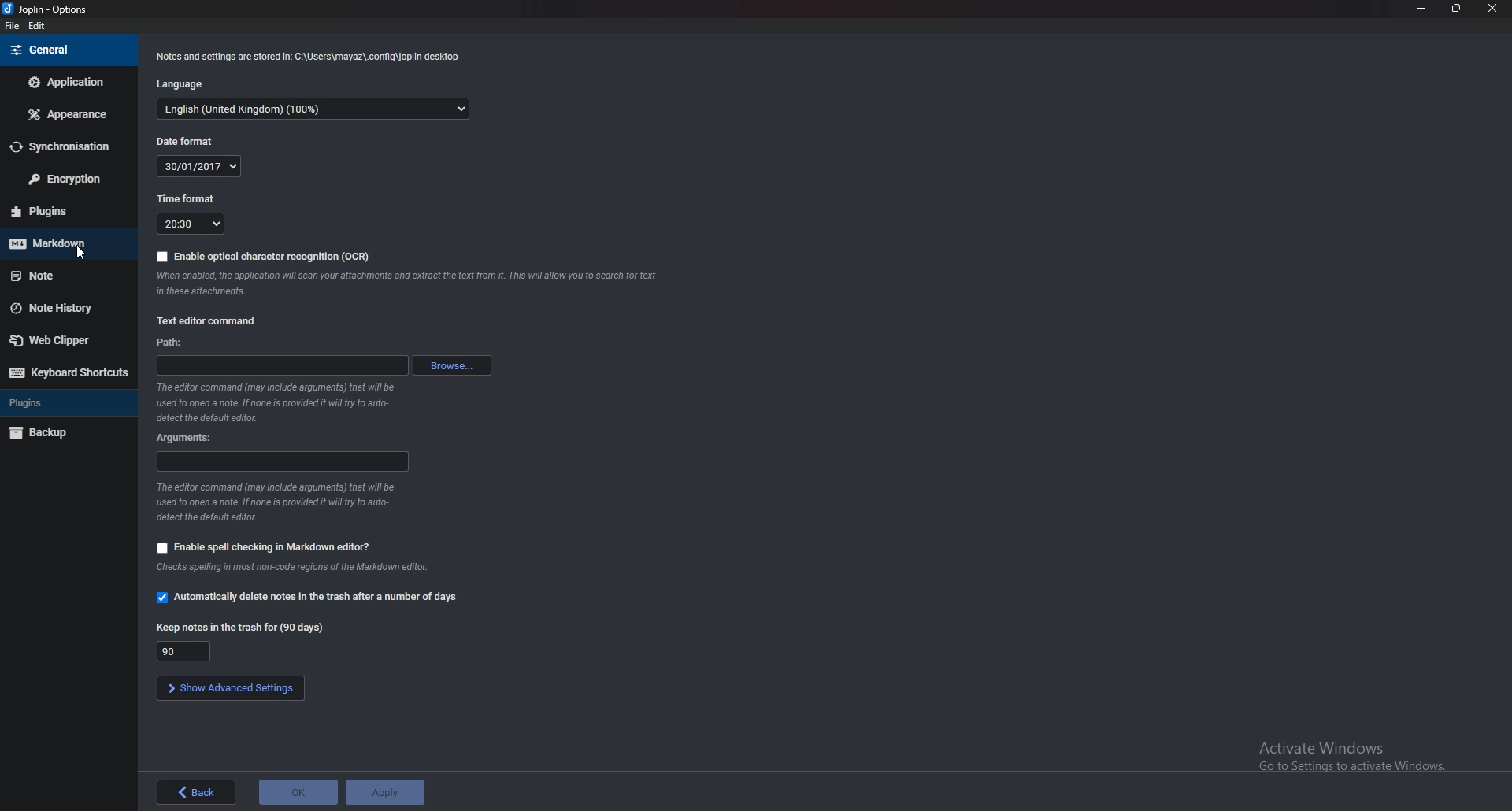 This screenshot has height=811, width=1512. What do you see at coordinates (187, 84) in the screenshot?
I see `Language` at bounding box center [187, 84].